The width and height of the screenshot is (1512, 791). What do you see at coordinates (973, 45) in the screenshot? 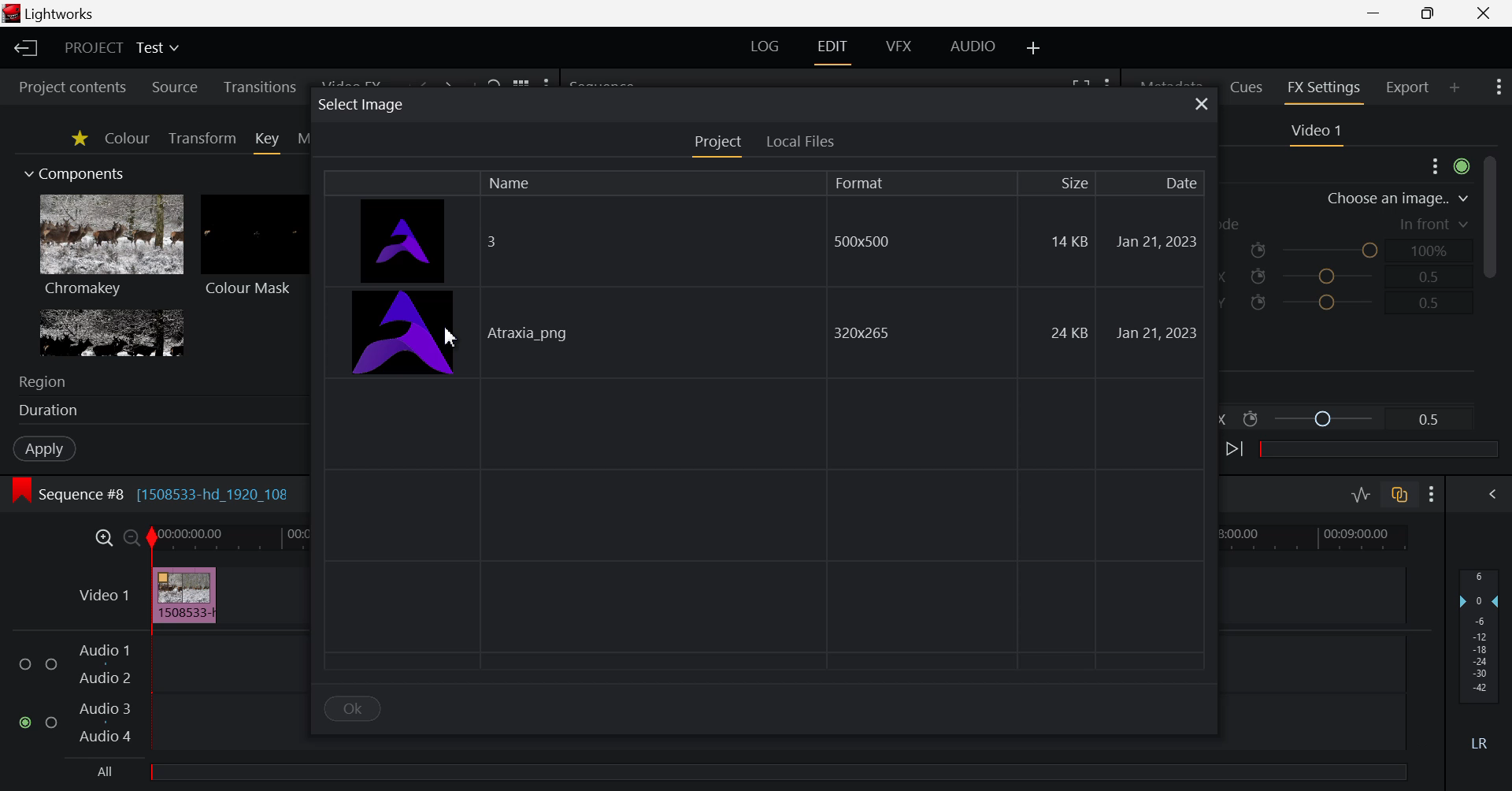
I see `AUDIO Layout` at bounding box center [973, 45].